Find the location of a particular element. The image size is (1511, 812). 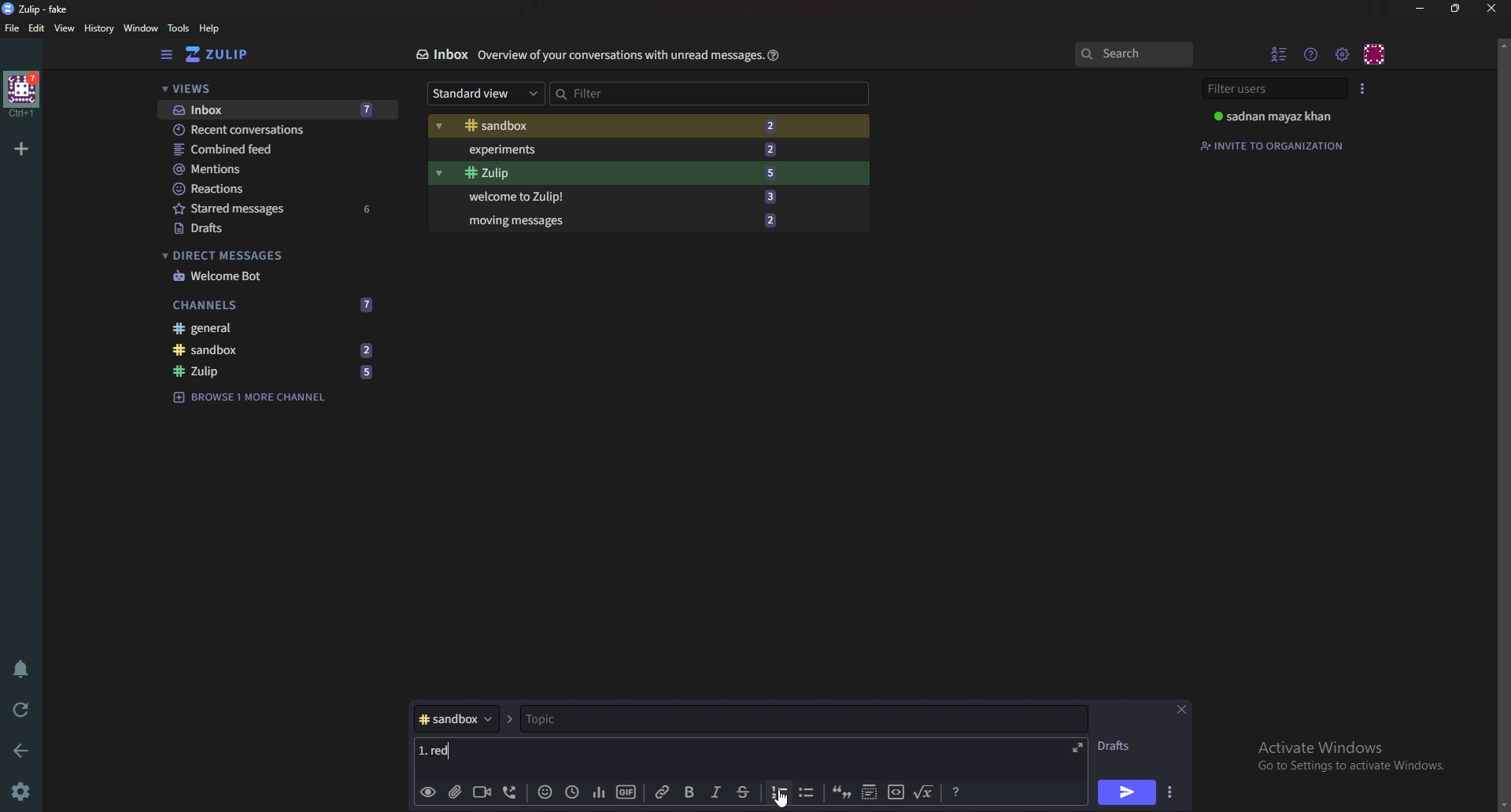

close message is located at coordinates (1182, 709).